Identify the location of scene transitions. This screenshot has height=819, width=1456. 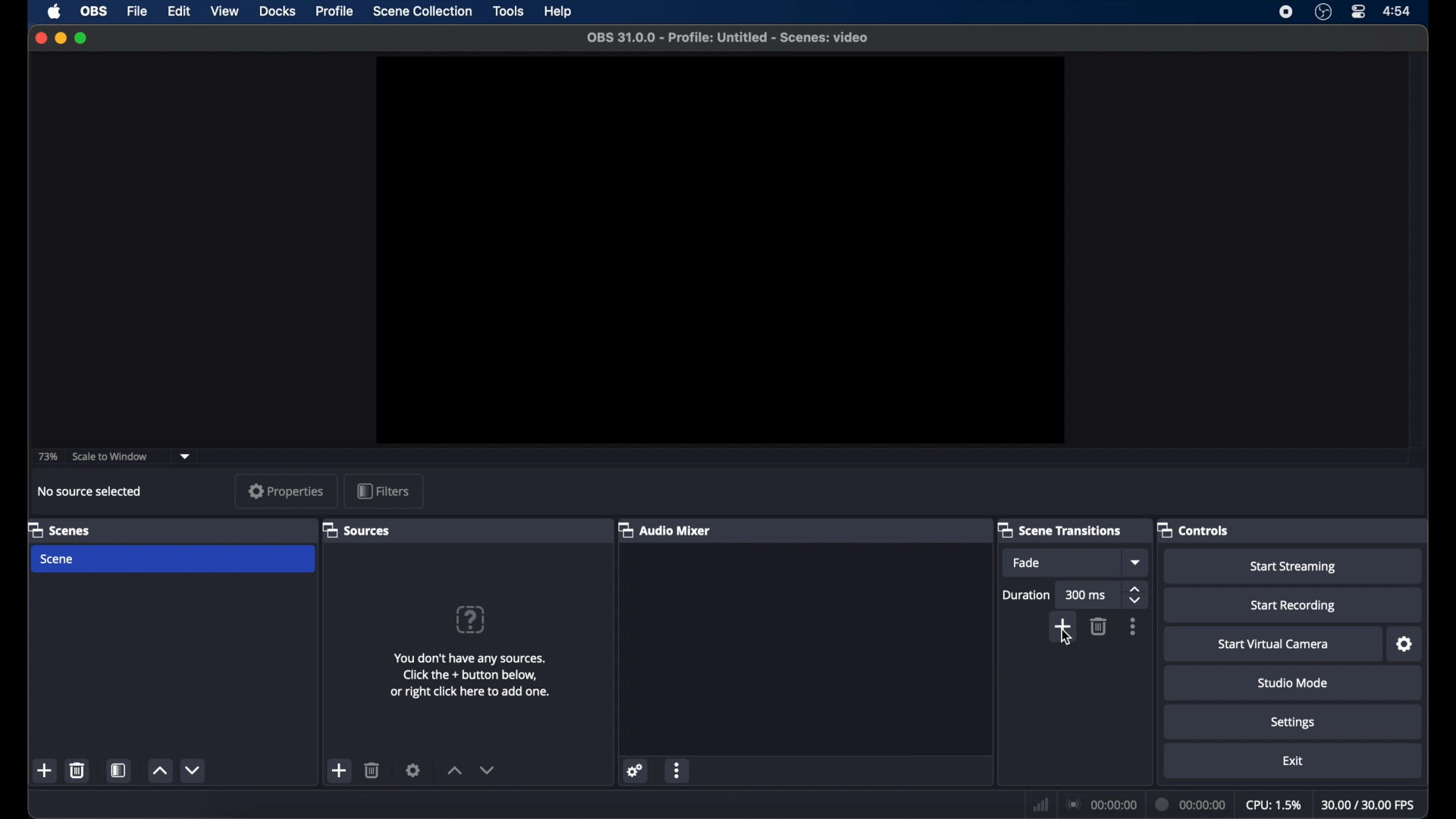
(1059, 529).